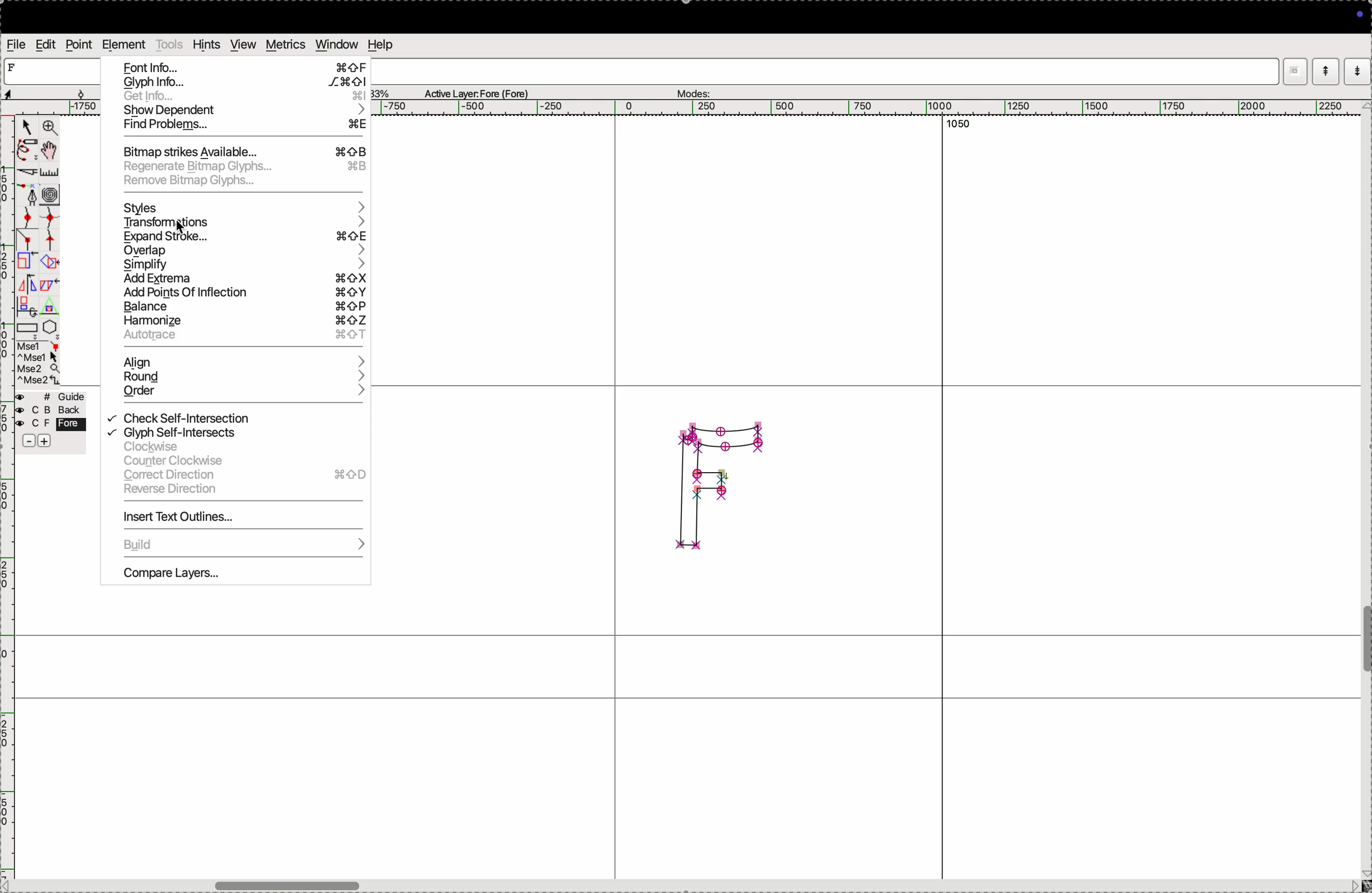 The height and width of the screenshot is (893, 1372). Describe the element at coordinates (233, 448) in the screenshot. I see `clock wise` at that location.